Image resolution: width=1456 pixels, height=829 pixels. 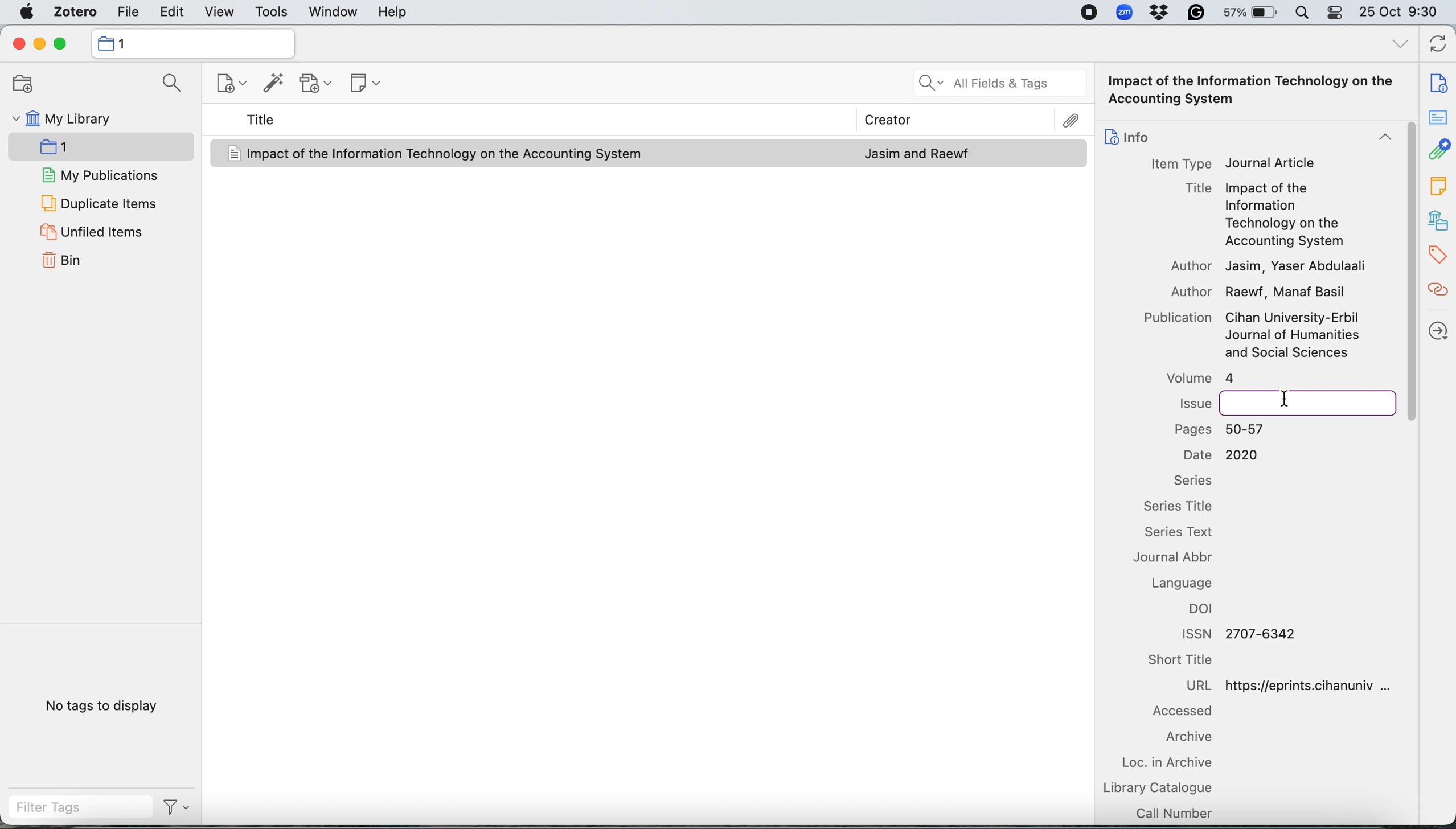 What do you see at coordinates (24, 12) in the screenshot?
I see `system logo` at bounding box center [24, 12].